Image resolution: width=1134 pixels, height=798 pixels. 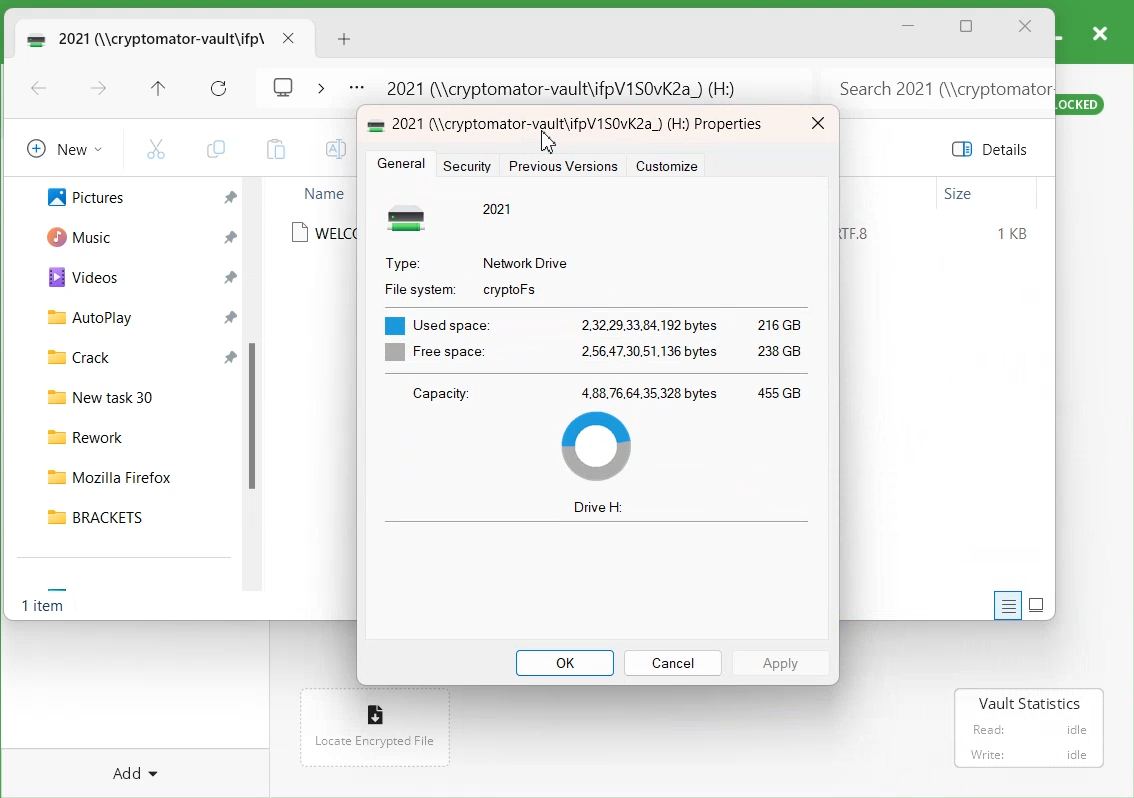 I want to click on Pin a file, so click(x=231, y=198).